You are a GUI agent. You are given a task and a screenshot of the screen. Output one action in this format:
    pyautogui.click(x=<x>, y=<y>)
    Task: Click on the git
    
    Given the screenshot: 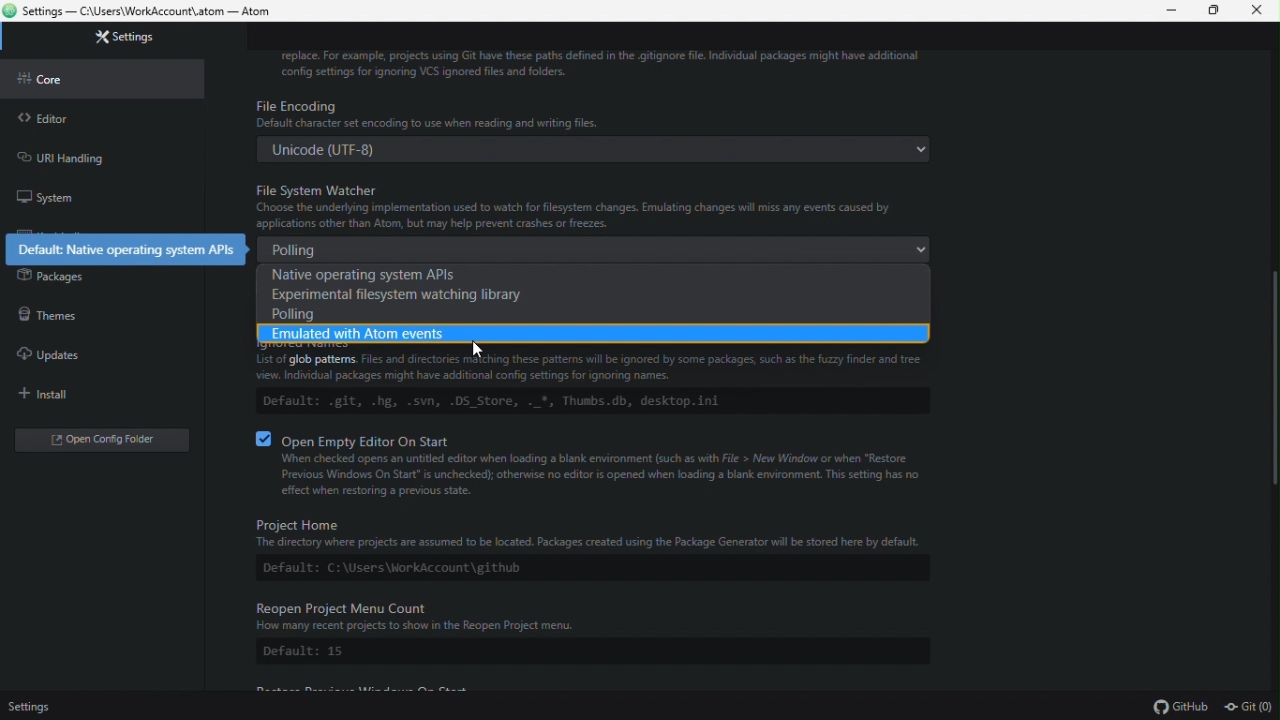 What is the action you would take?
    pyautogui.click(x=1249, y=708)
    